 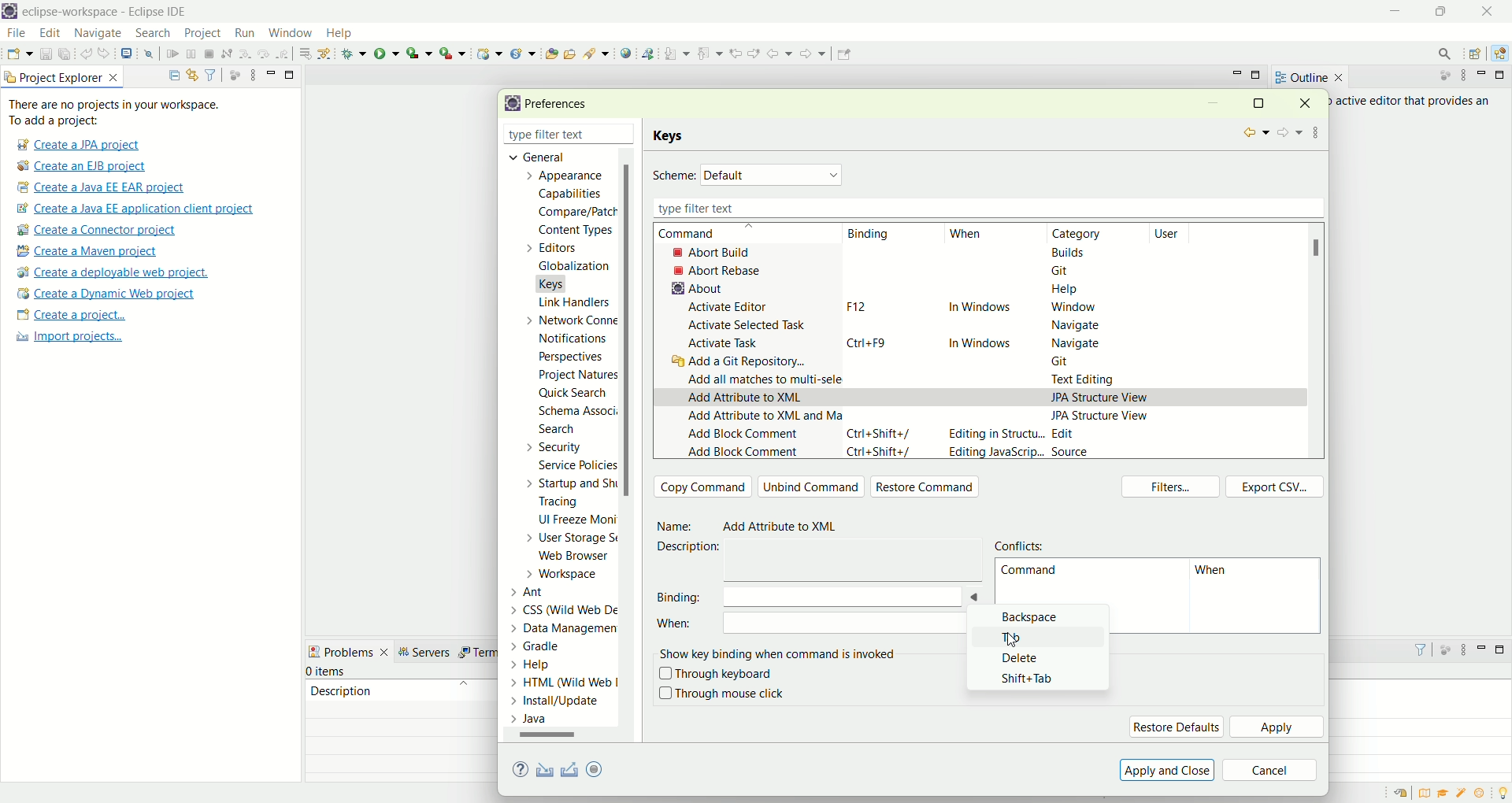 What do you see at coordinates (1088, 380) in the screenshot?
I see `text editing` at bounding box center [1088, 380].